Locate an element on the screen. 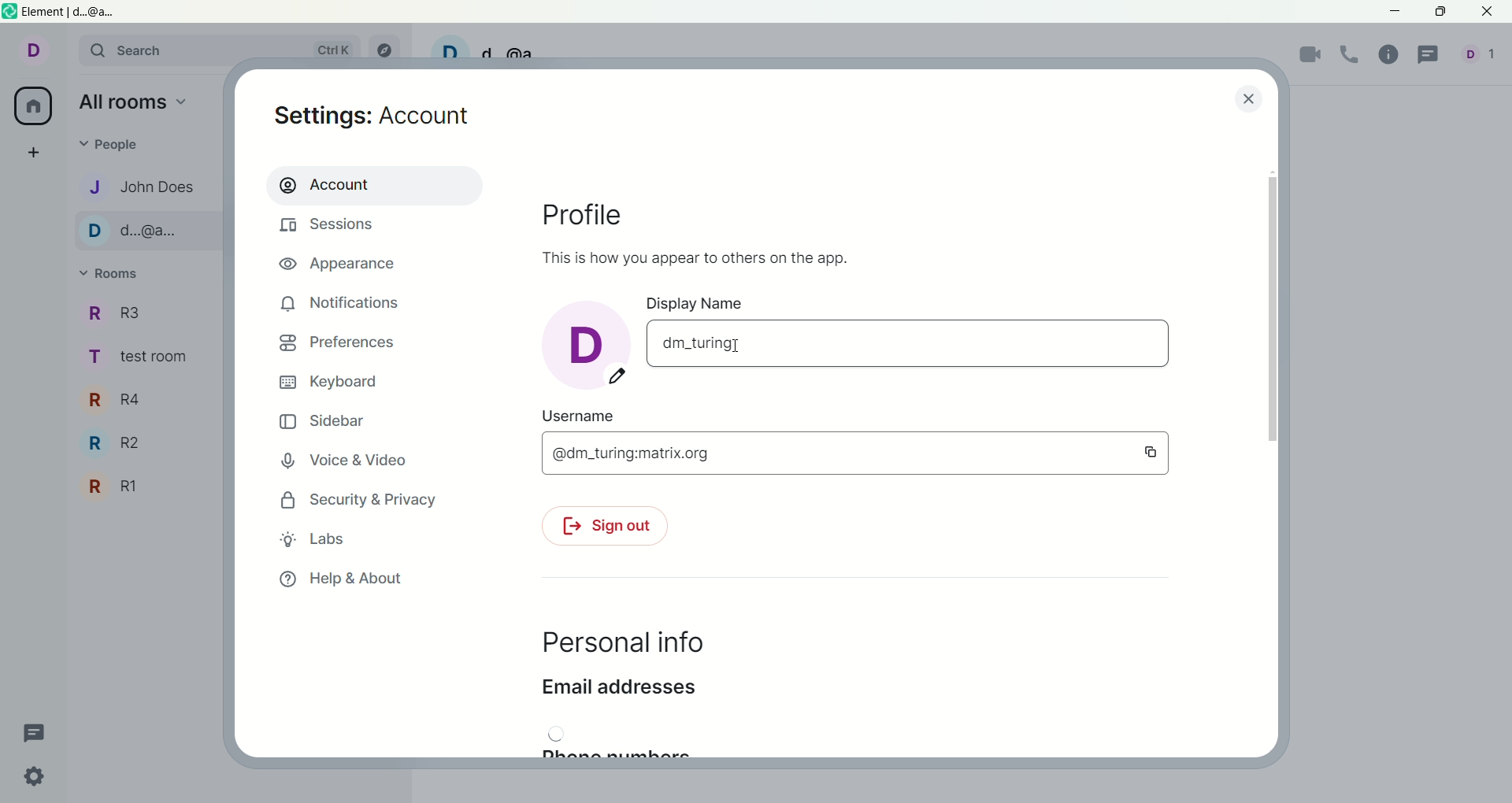 Image resolution: width=1512 pixels, height=803 pixels. usser name is located at coordinates (705, 417).